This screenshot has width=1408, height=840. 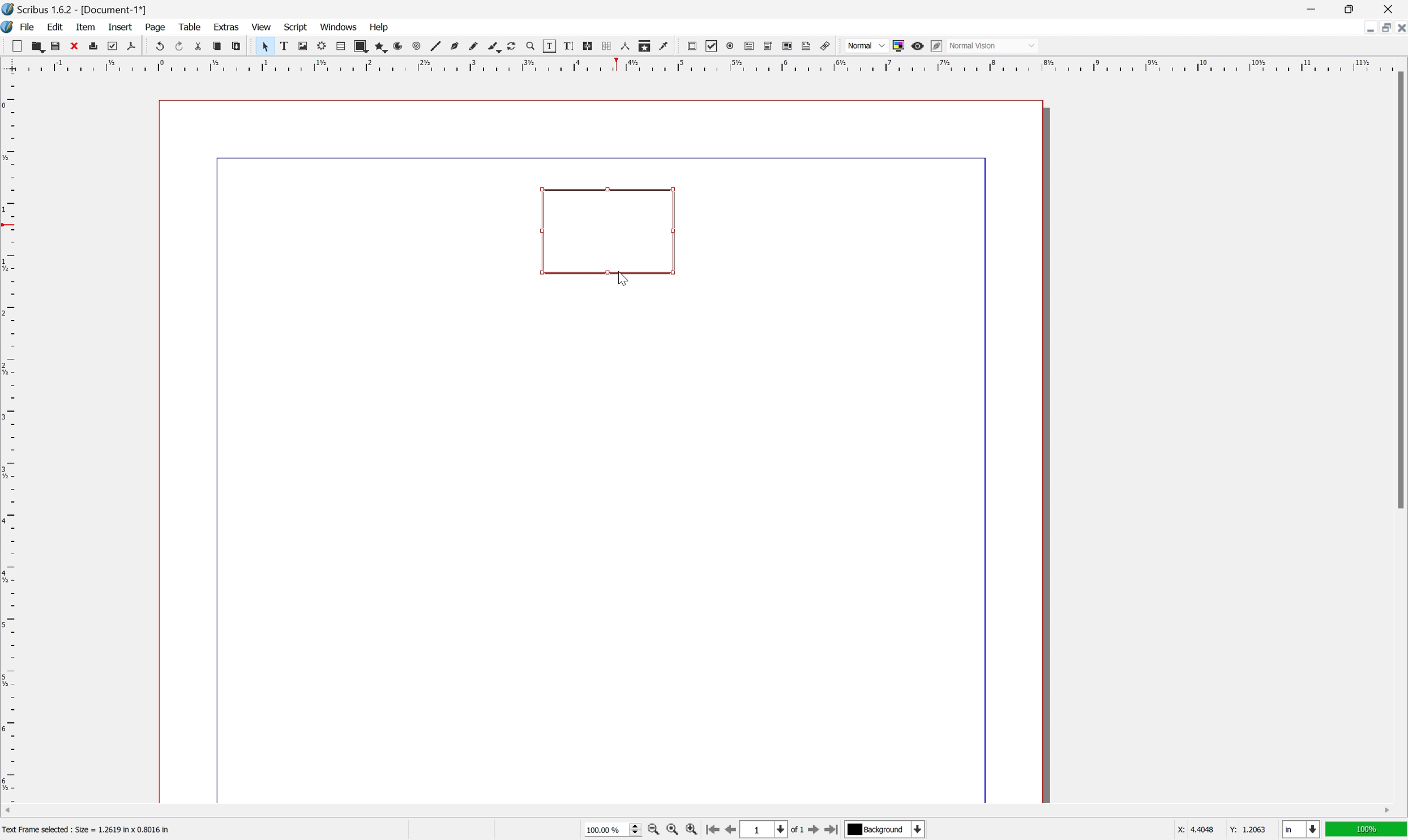 What do you see at coordinates (102, 828) in the screenshot?
I see `Text Frame Selected : Size = 1.2619 in x 0.8016 in` at bounding box center [102, 828].